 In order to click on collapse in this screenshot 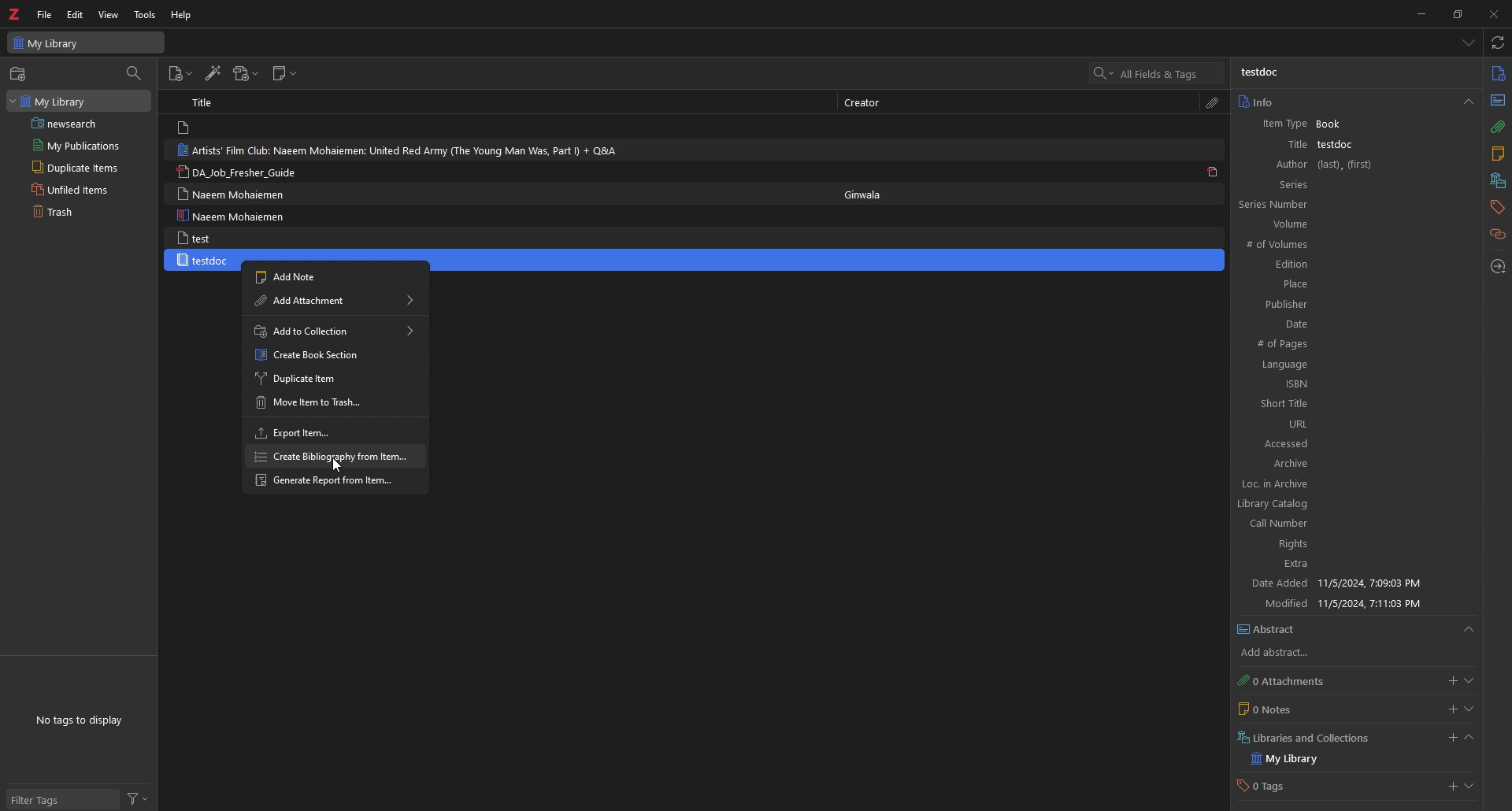, I will do `click(1469, 739)`.